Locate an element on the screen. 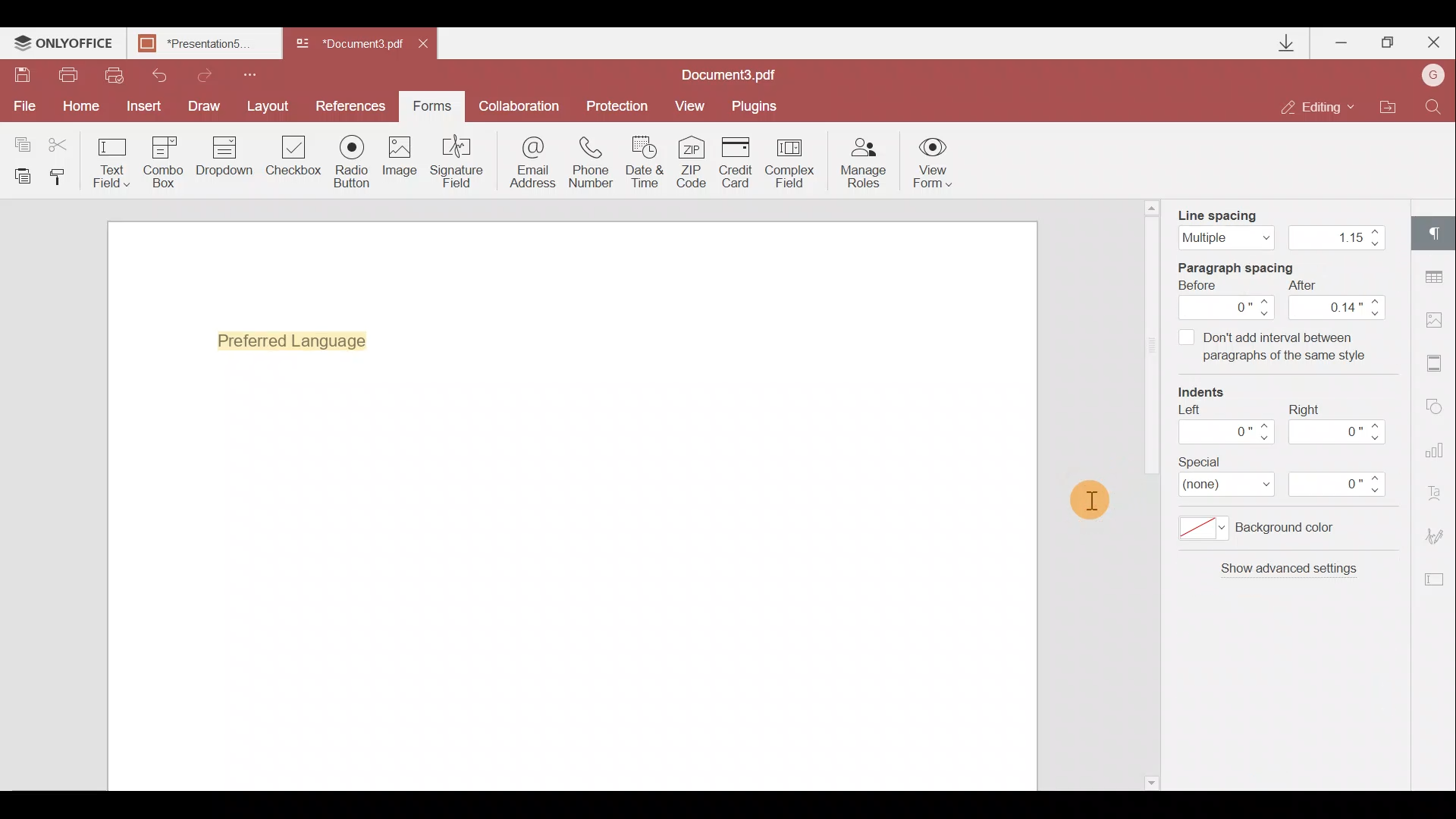  Before is located at coordinates (1203, 285).